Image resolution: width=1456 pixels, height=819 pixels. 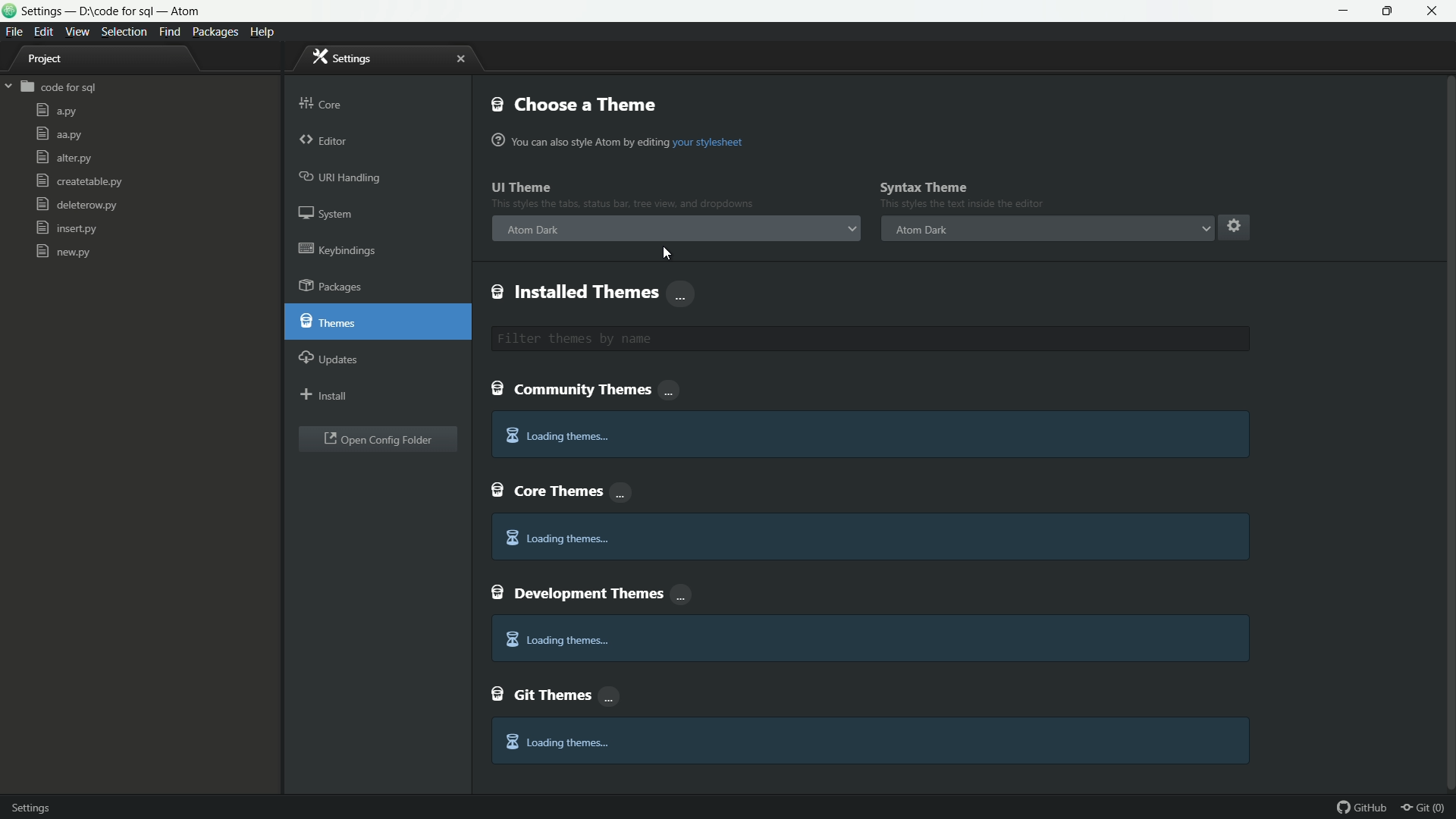 I want to click on settings , so click(x=39, y=806).